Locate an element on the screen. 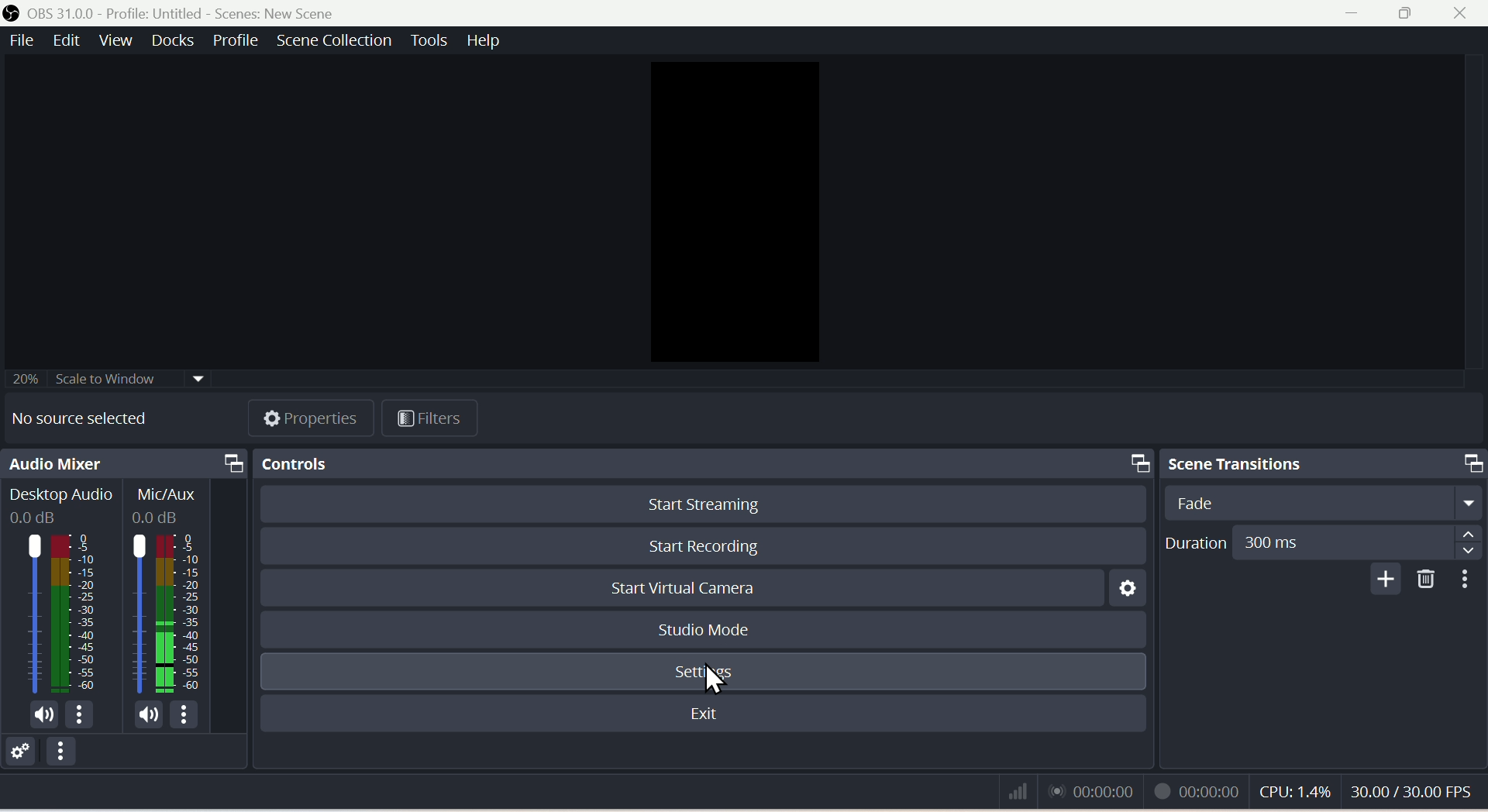 This screenshot has height=812, width=1488. Properties is located at coordinates (311, 418).